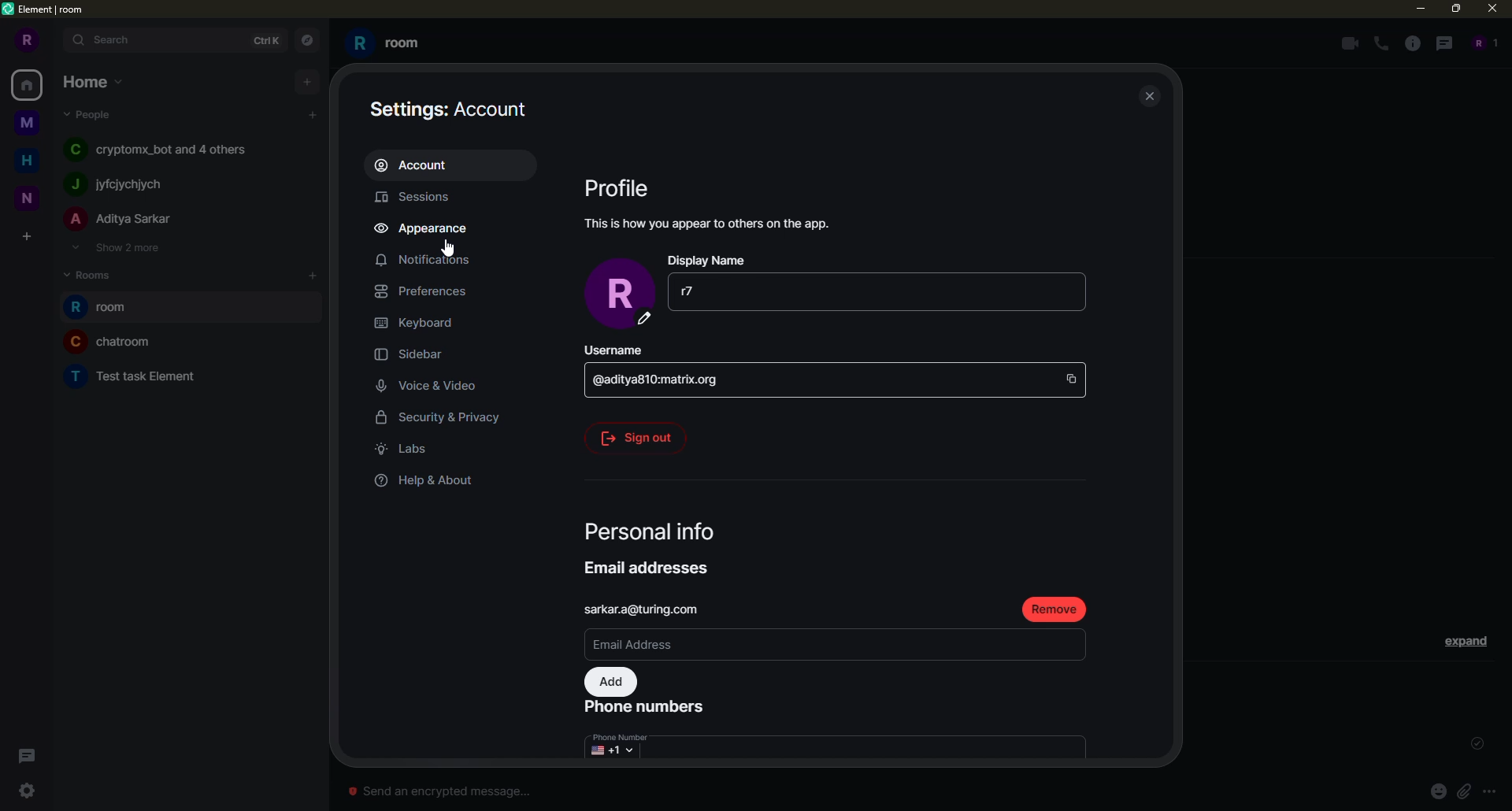 This screenshot has height=811, width=1512. What do you see at coordinates (28, 124) in the screenshot?
I see `space` at bounding box center [28, 124].